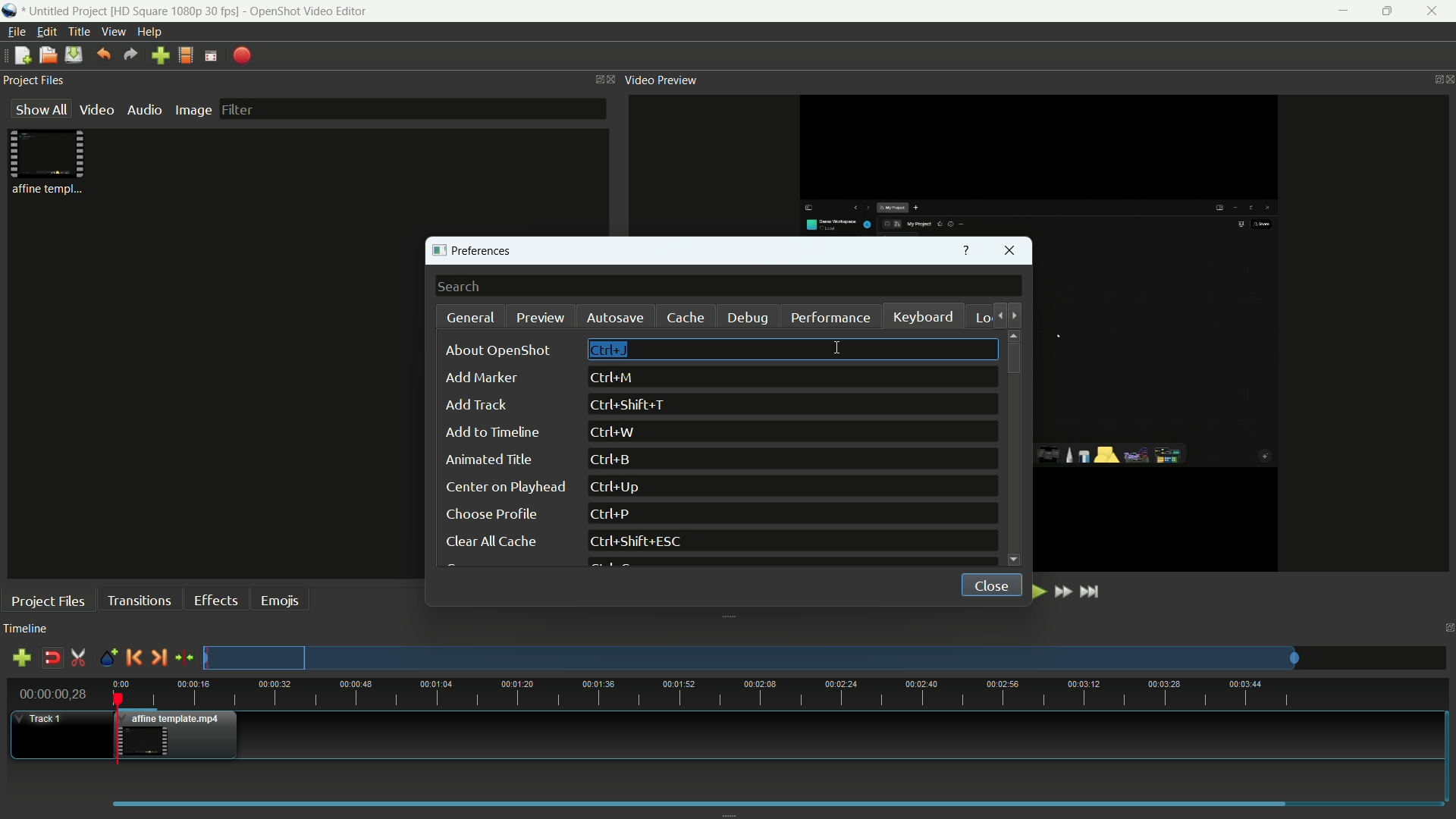 This screenshot has width=1456, height=819. I want to click on minimize, so click(1339, 11).